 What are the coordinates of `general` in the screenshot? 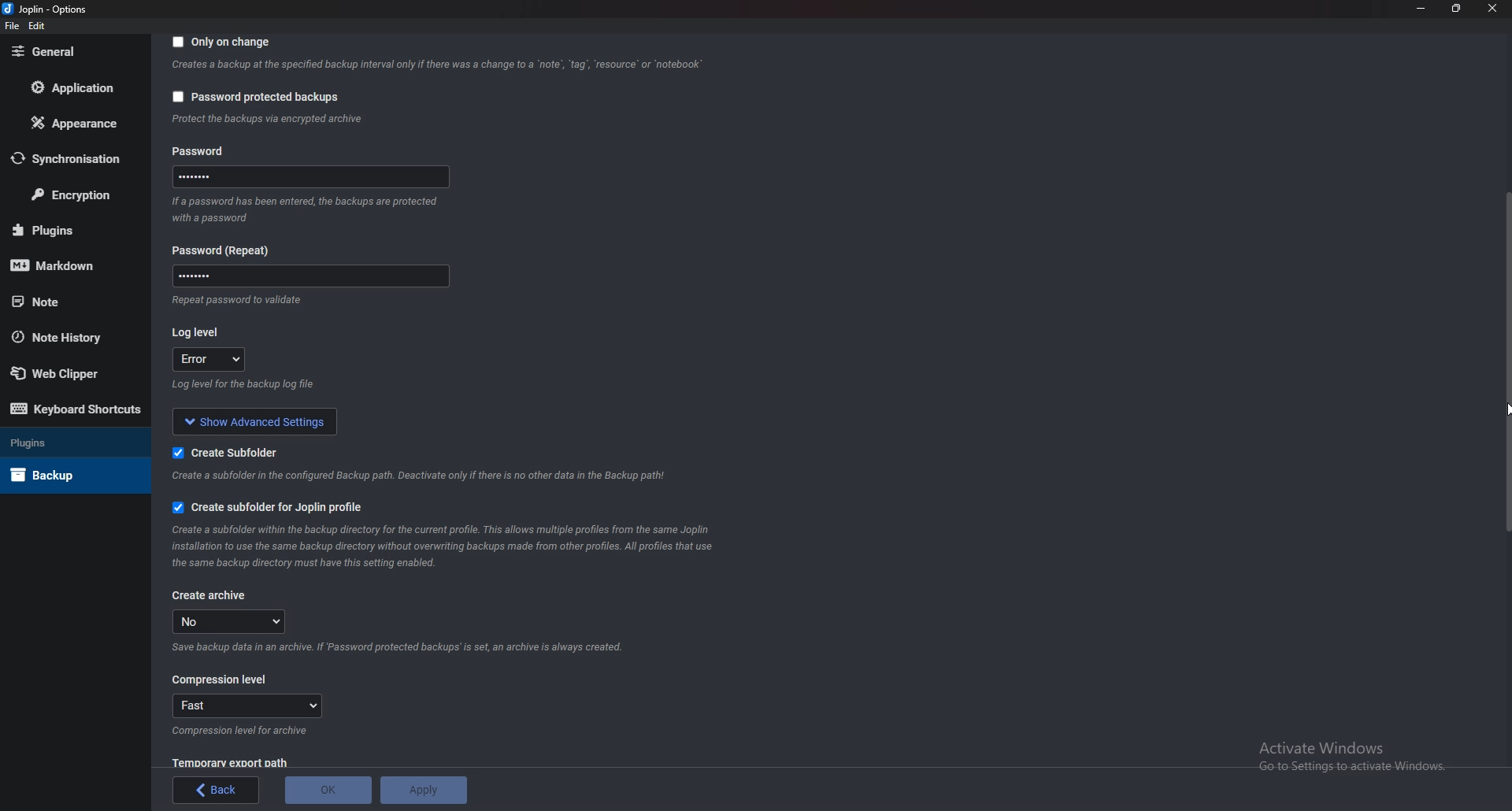 It's located at (68, 52).